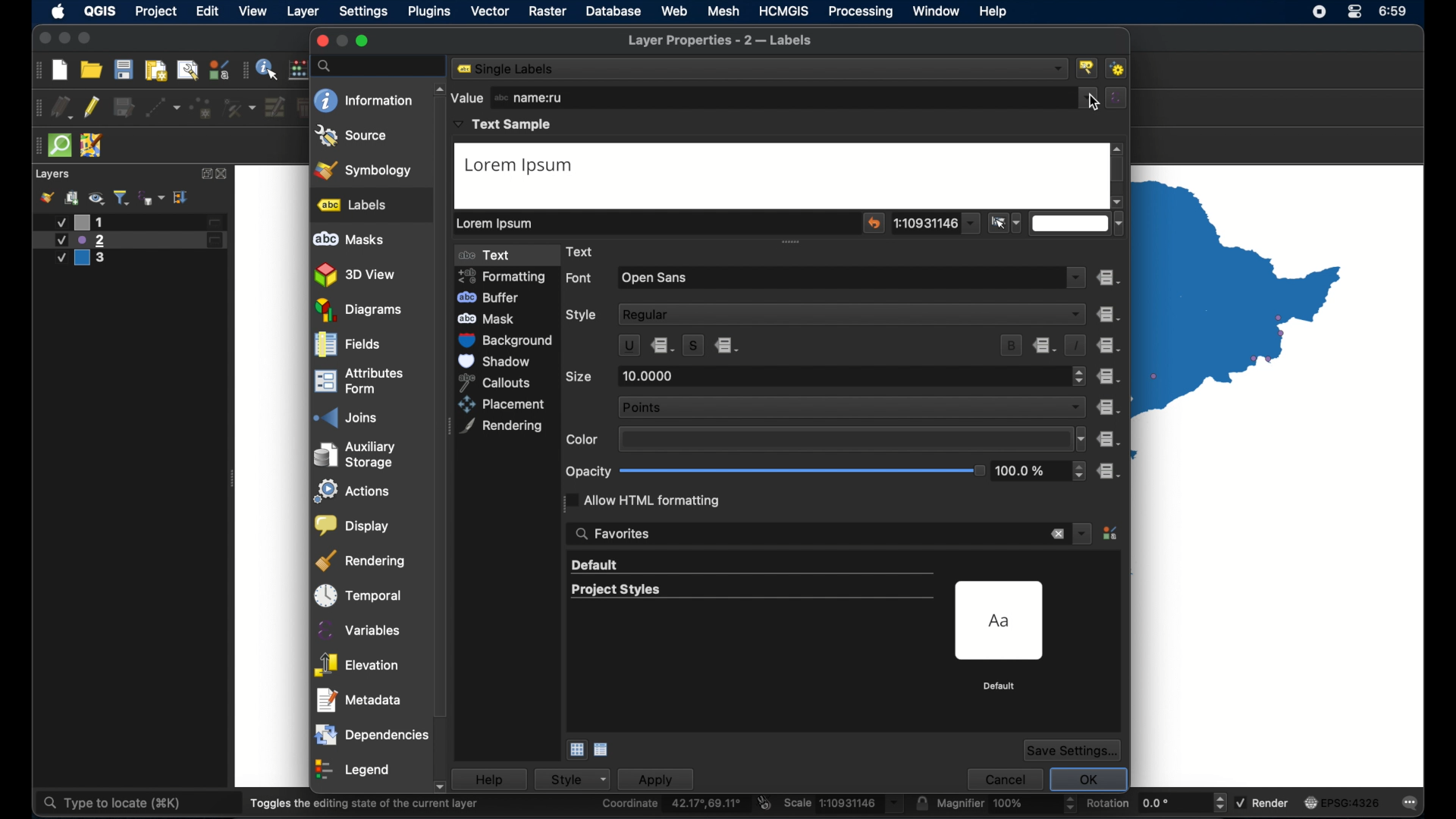 The image size is (1456, 819). I want to click on layer 1, so click(136, 222).